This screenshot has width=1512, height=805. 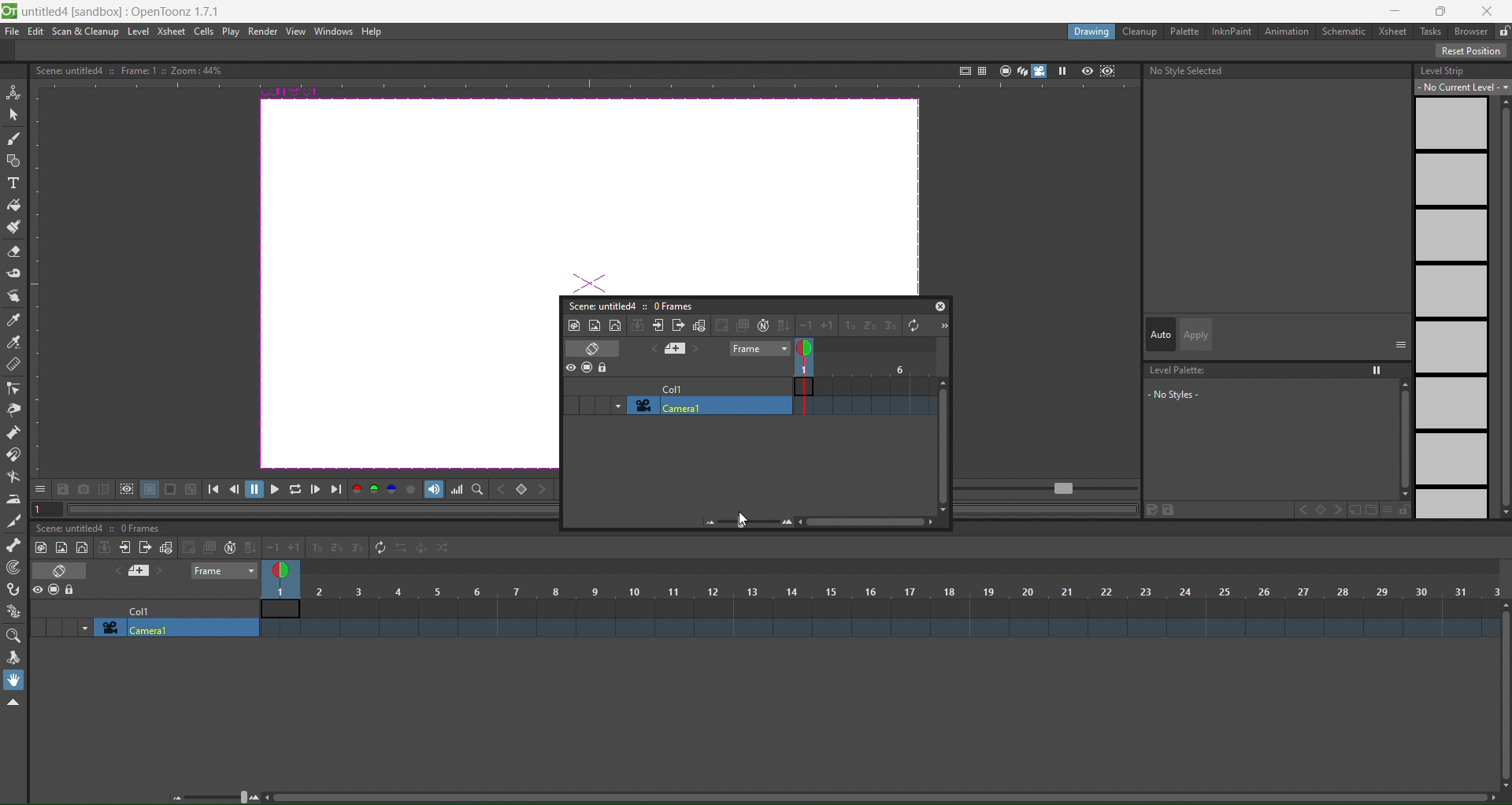 I want to click on column, so click(x=882, y=591).